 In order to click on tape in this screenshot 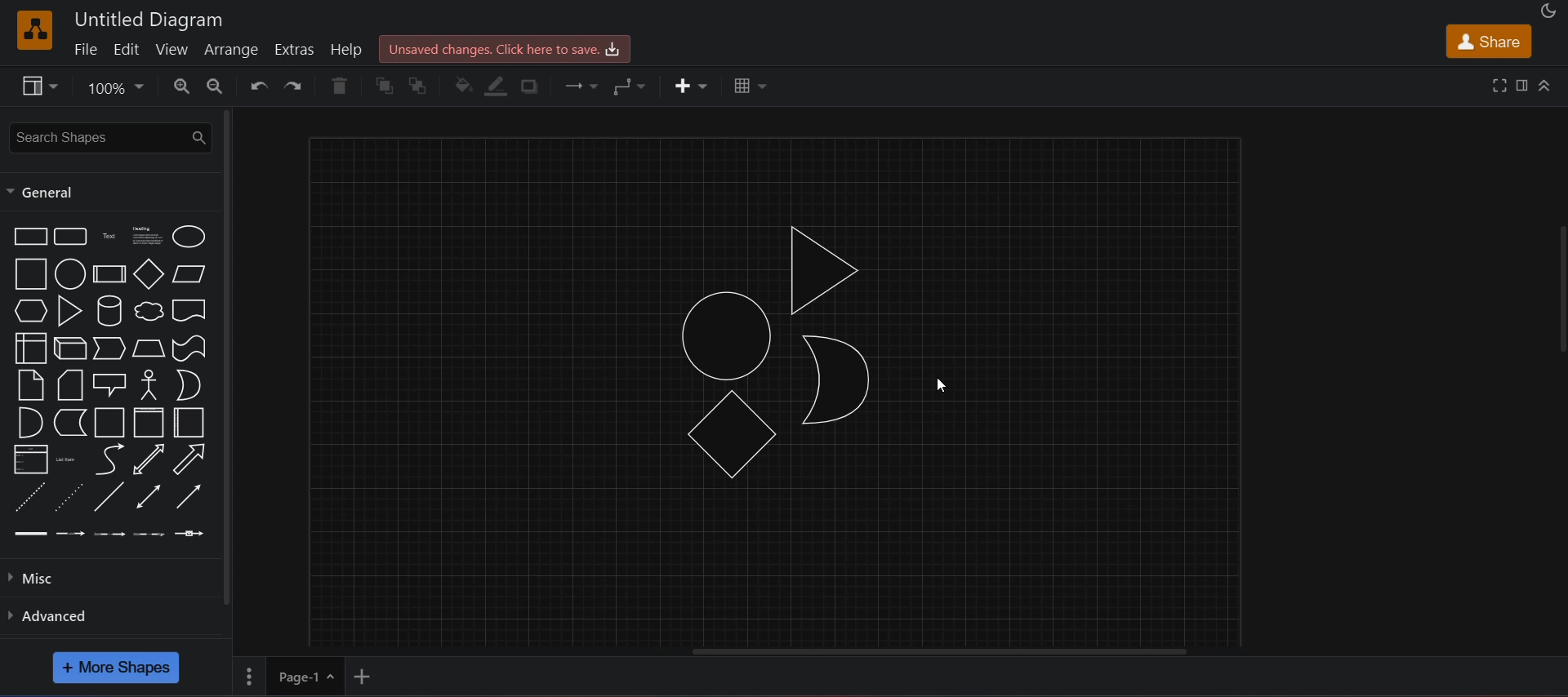, I will do `click(189, 348)`.